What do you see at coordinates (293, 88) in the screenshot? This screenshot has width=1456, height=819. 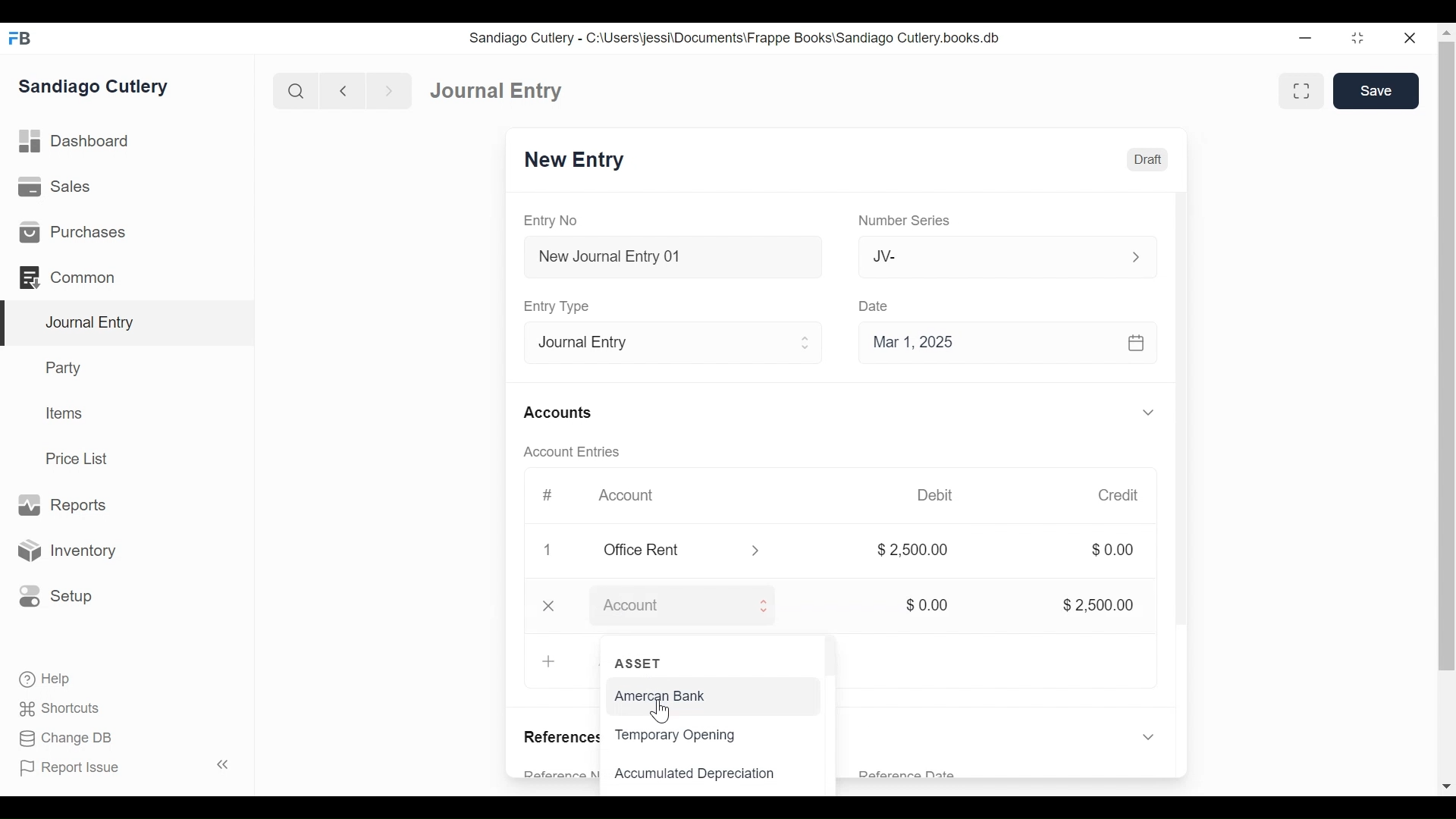 I see `search ` at bounding box center [293, 88].